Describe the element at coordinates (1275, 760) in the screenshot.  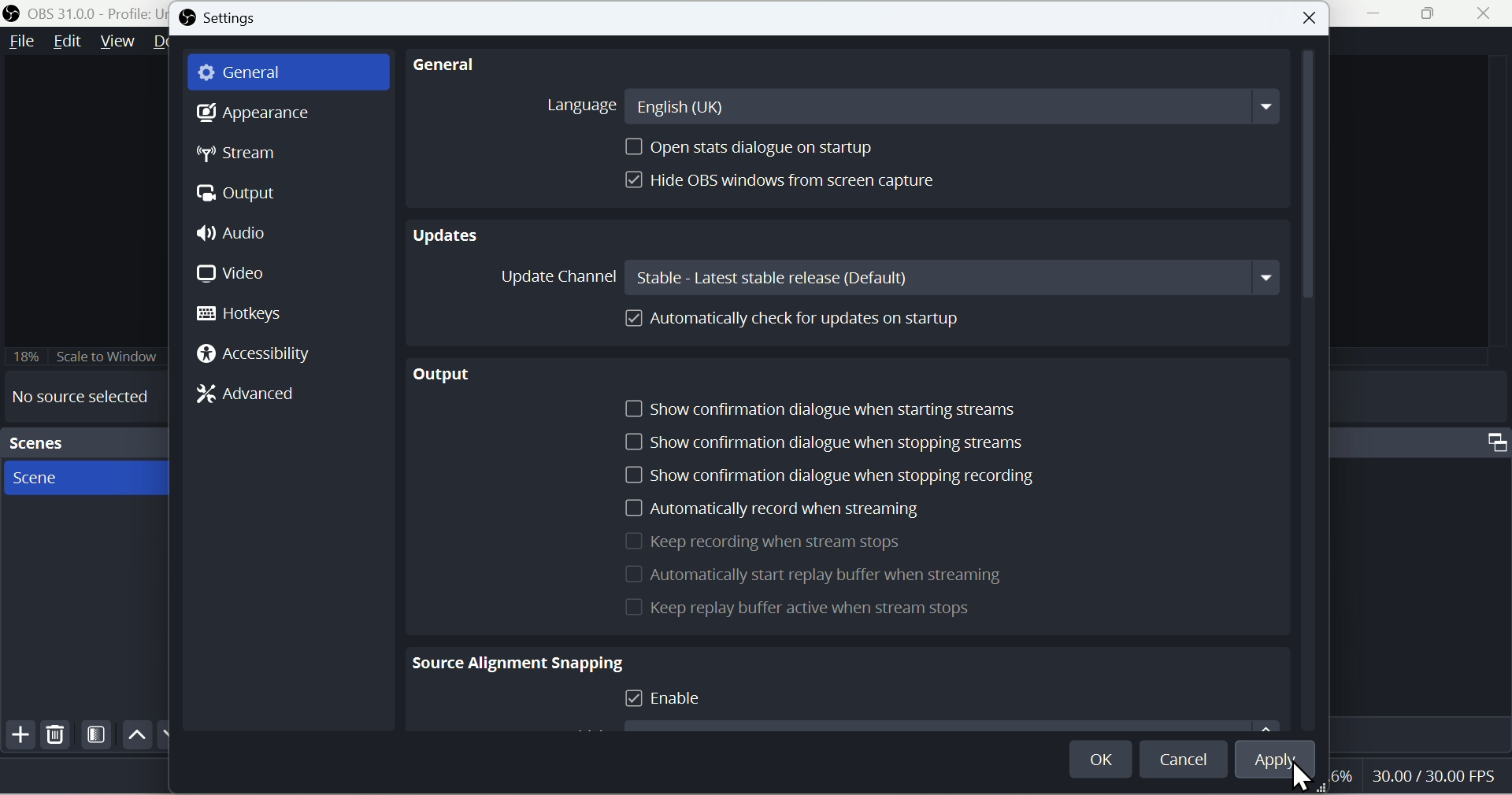
I see `Apply` at that location.